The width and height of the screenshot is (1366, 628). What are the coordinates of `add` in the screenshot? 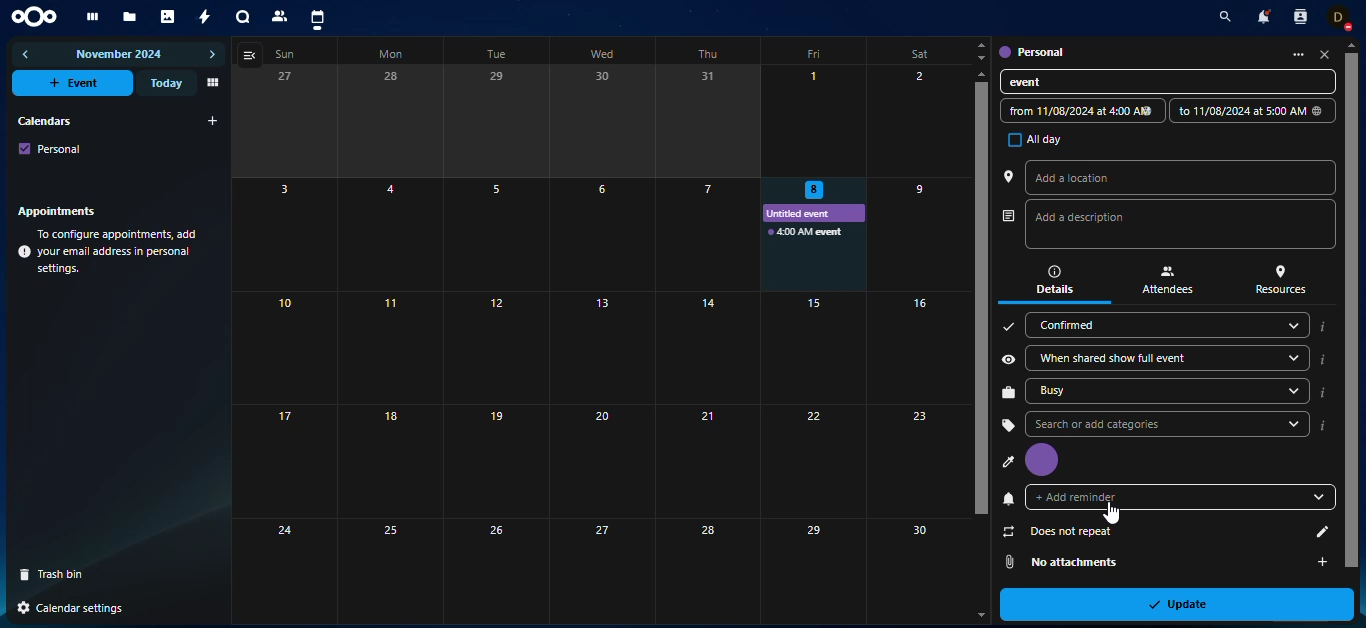 It's located at (213, 121).